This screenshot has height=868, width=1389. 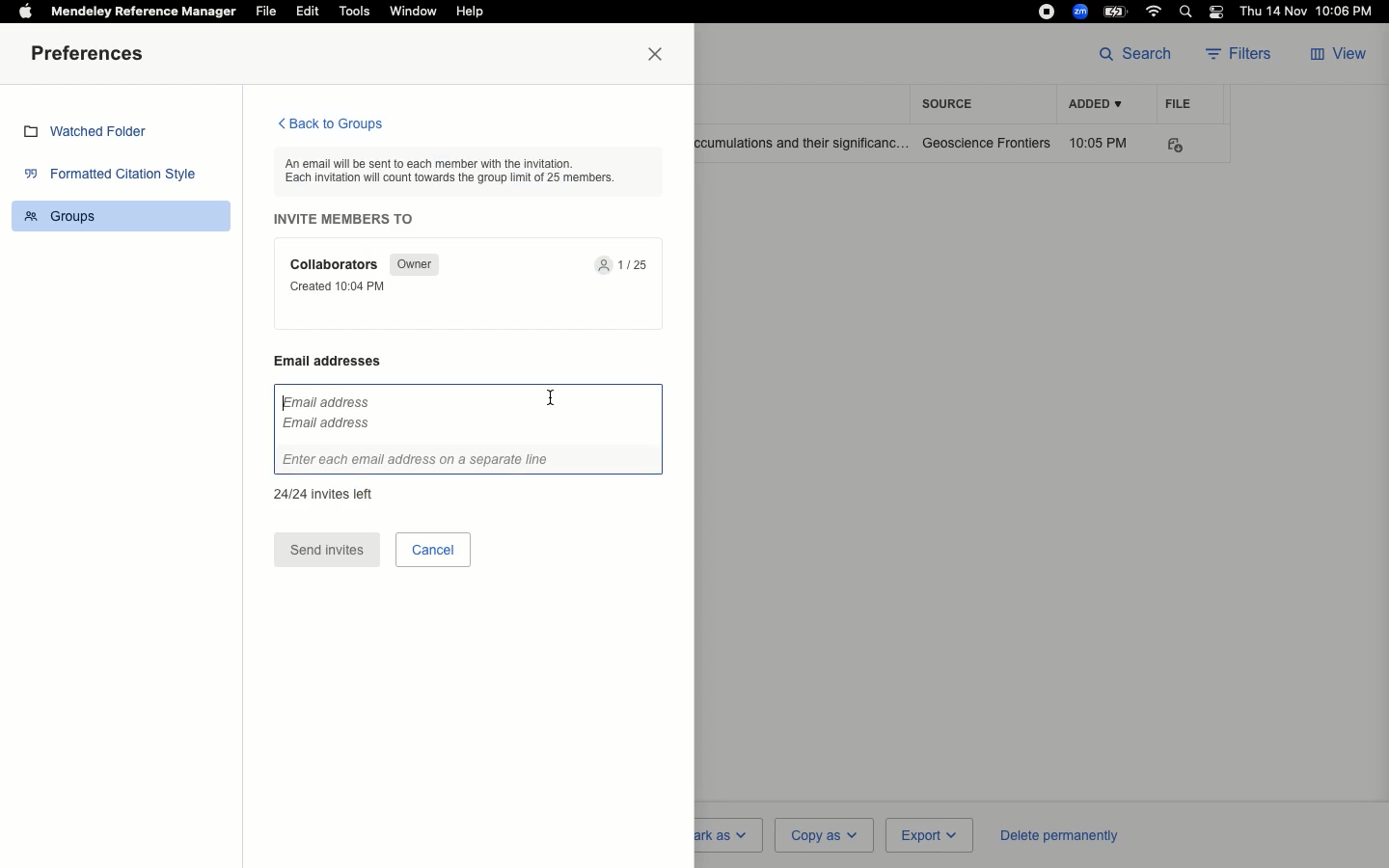 What do you see at coordinates (1156, 12) in the screenshot?
I see `Internet` at bounding box center [1156, 12].